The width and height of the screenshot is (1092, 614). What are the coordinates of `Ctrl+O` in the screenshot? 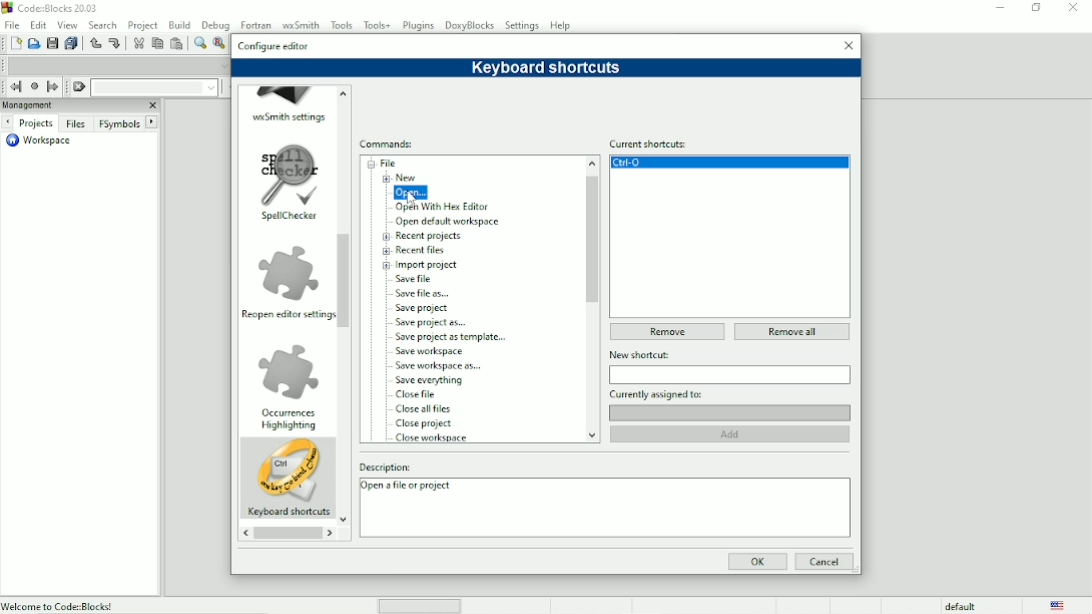 It's located at (730, 163).